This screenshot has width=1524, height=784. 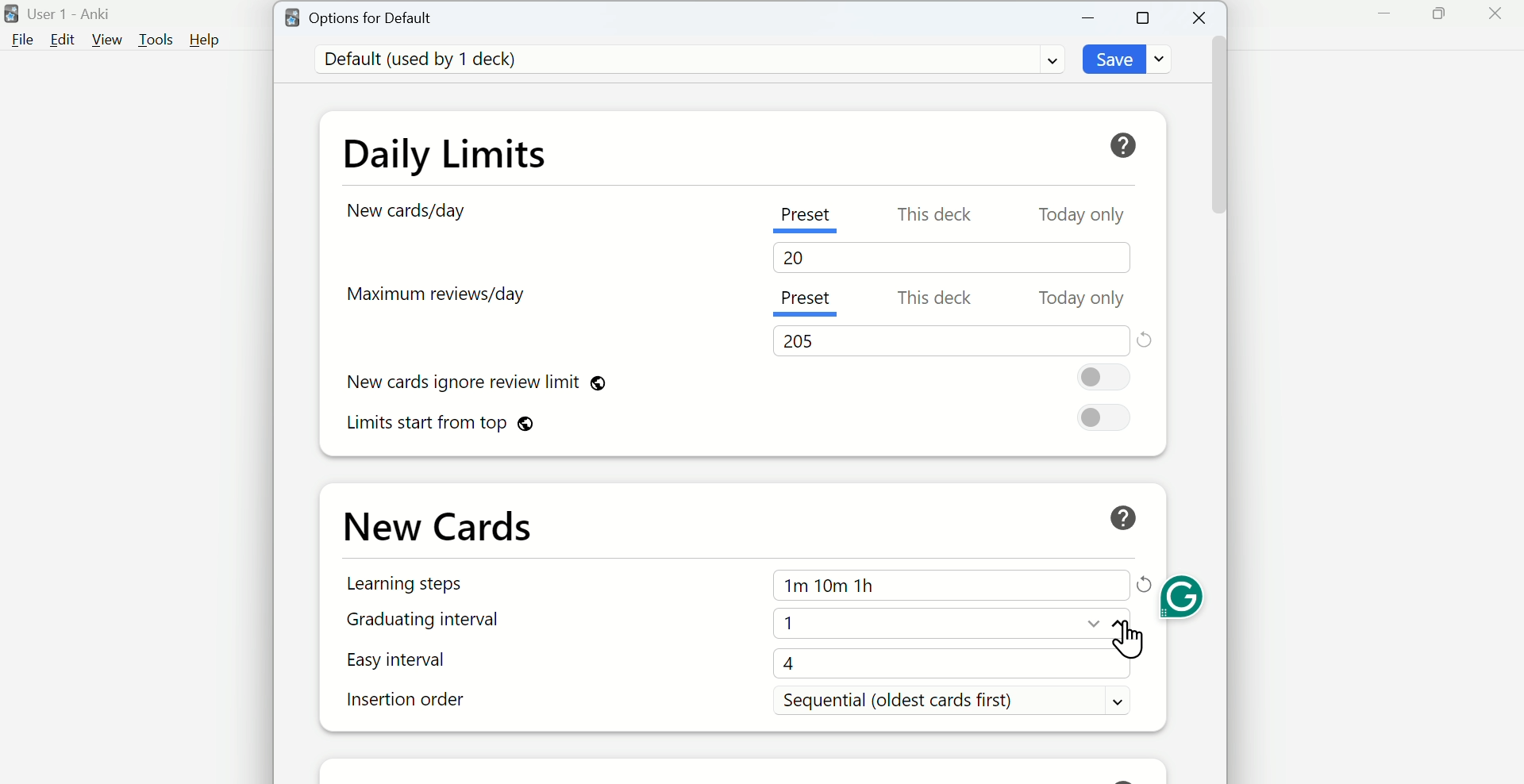 What do you see at coordinates (799, 260) in the screenshot?
I see `20` at bounding box center [799, 260].